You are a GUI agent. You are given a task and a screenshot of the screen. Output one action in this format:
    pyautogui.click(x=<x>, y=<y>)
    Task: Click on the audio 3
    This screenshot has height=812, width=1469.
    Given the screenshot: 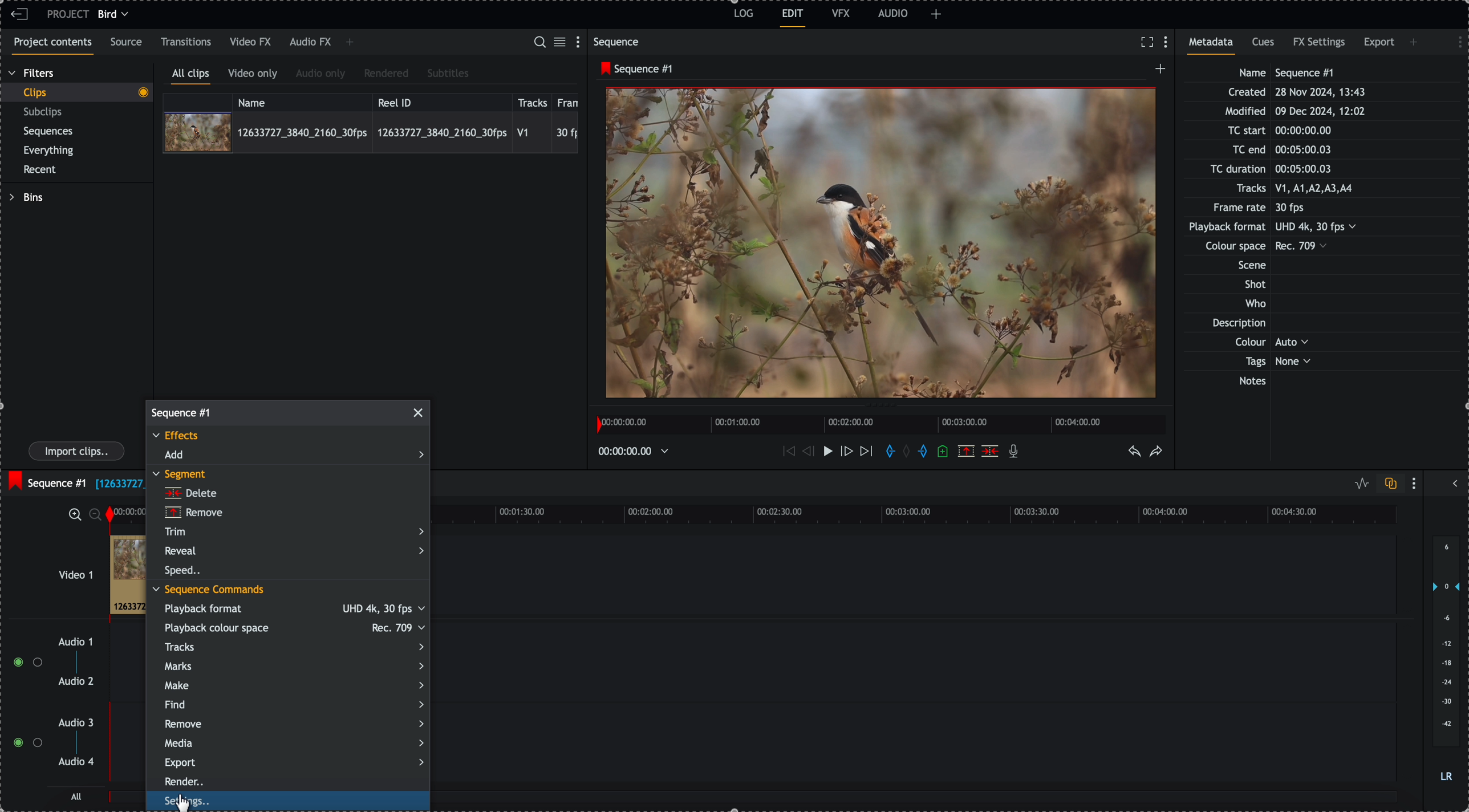 What is the action you would take?
    pyautogui.click(x=79, y=723)
    